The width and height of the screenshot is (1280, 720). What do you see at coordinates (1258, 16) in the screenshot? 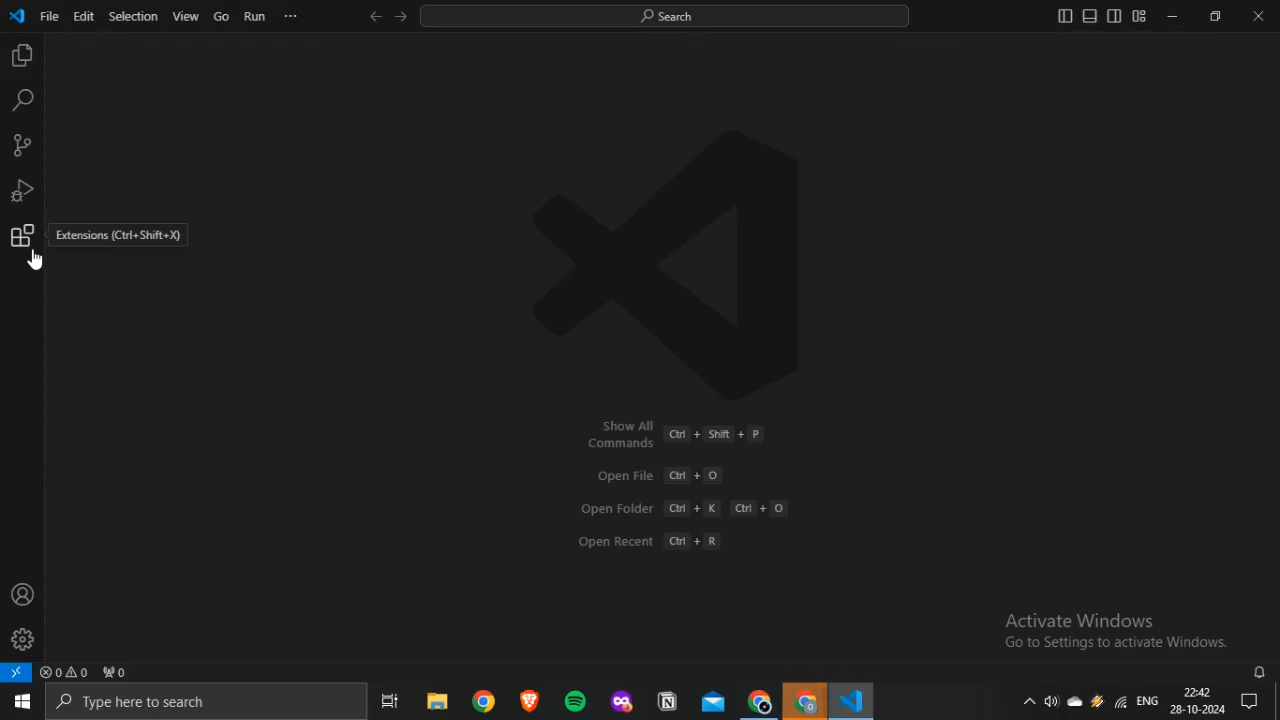
I see `close` at bounding box center [1258, 16].